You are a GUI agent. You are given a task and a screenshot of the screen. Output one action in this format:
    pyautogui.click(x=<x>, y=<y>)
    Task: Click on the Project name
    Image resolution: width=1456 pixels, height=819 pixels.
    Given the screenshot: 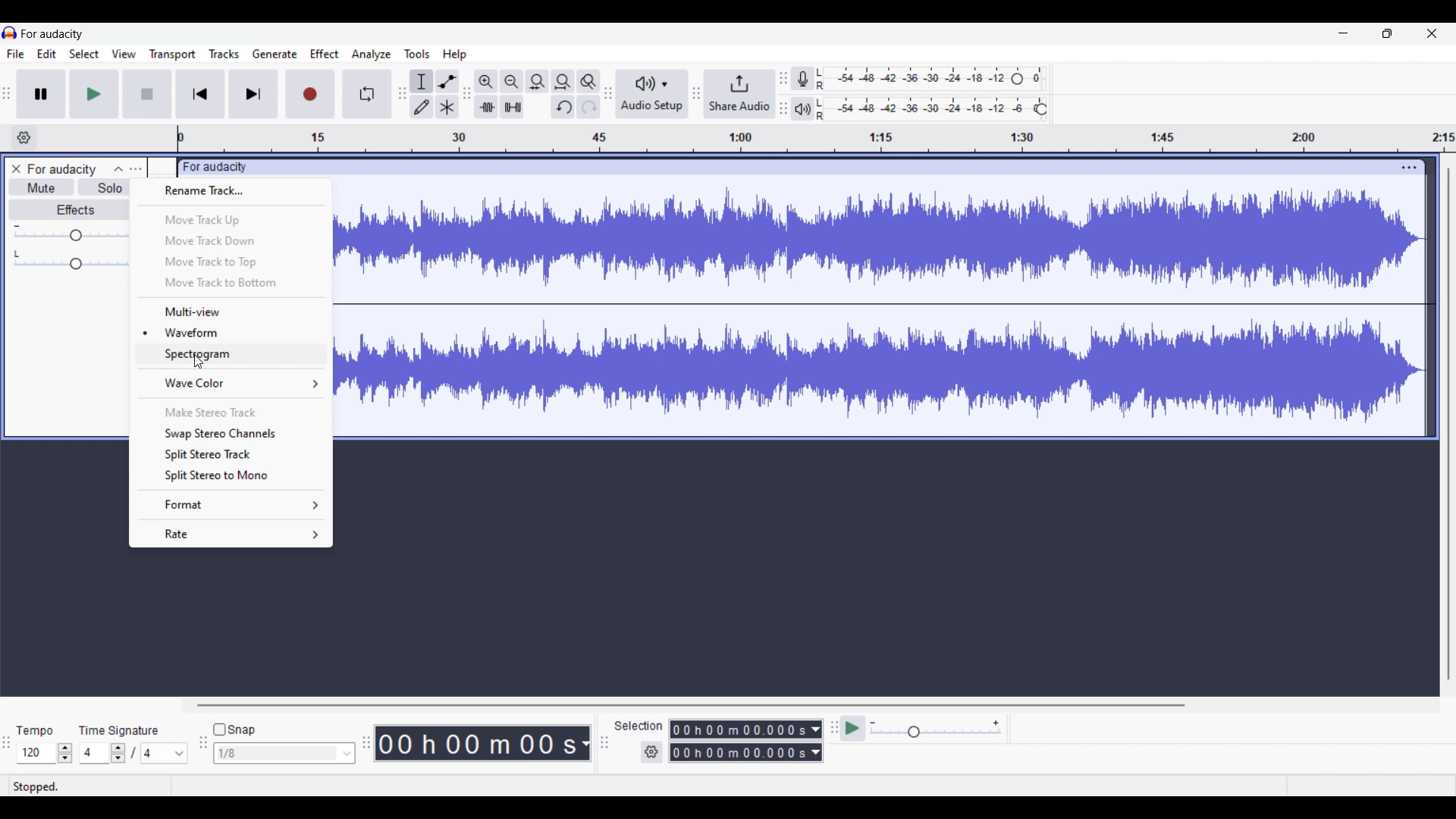 What is the action you would take?
    pyautogui.click(x=52, y=34)
    